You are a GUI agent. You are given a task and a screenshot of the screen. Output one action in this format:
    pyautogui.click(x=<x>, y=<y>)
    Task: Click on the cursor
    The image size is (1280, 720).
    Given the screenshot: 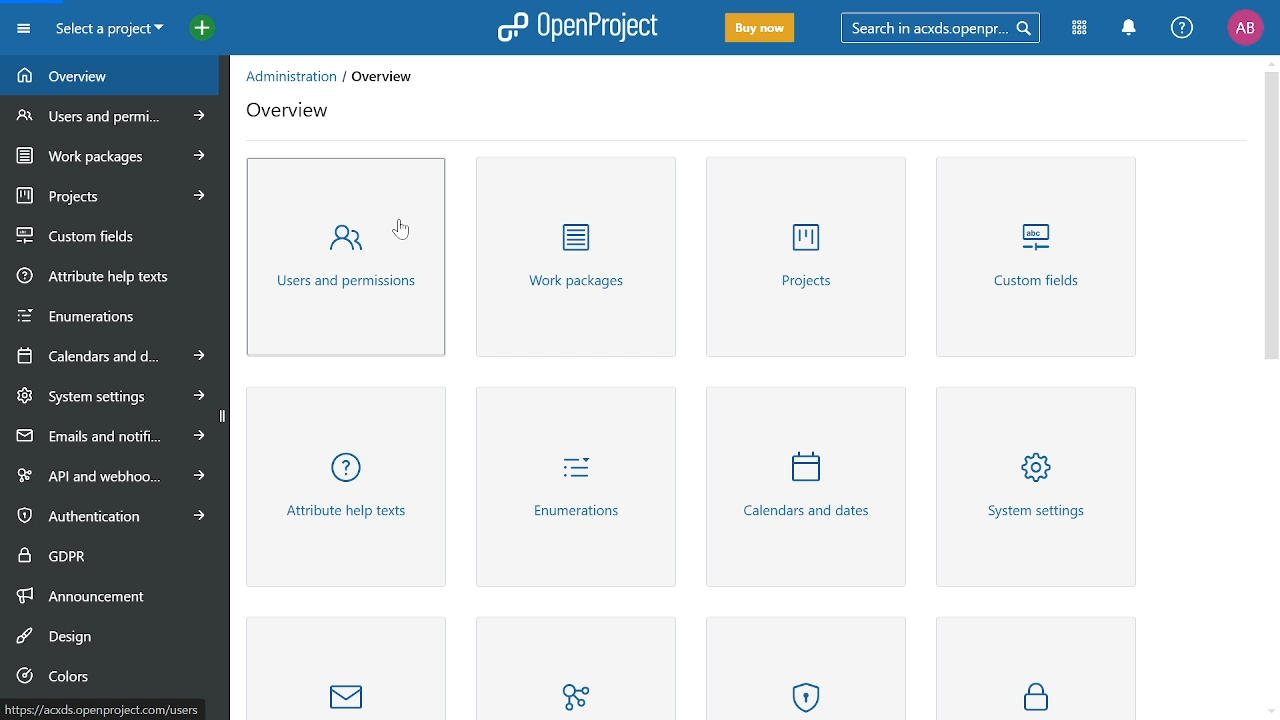 What is the action you would take?
    pyautogui.click(x=403, y=233)
    